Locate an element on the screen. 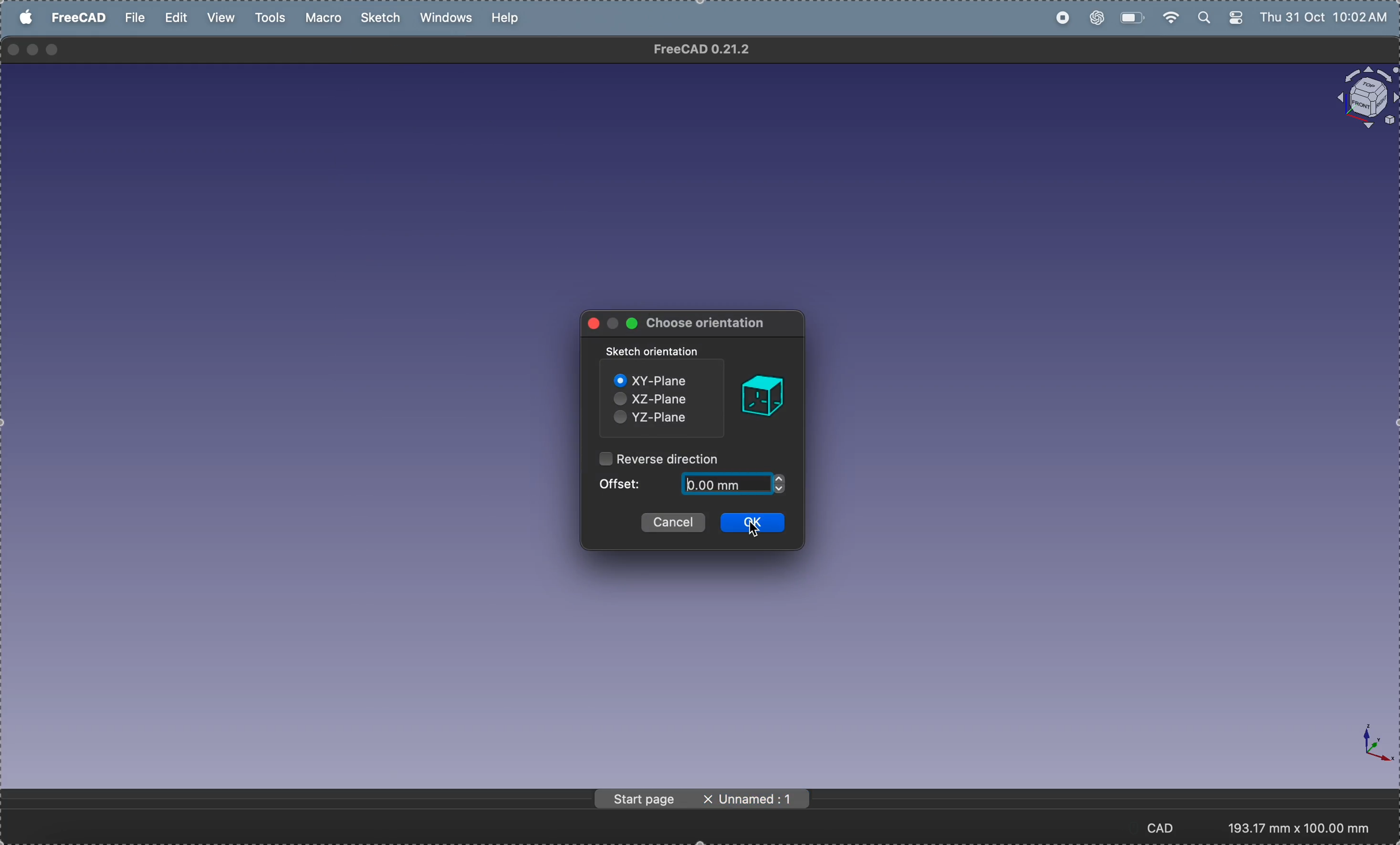  battery is located at coordinates (1130, 16).